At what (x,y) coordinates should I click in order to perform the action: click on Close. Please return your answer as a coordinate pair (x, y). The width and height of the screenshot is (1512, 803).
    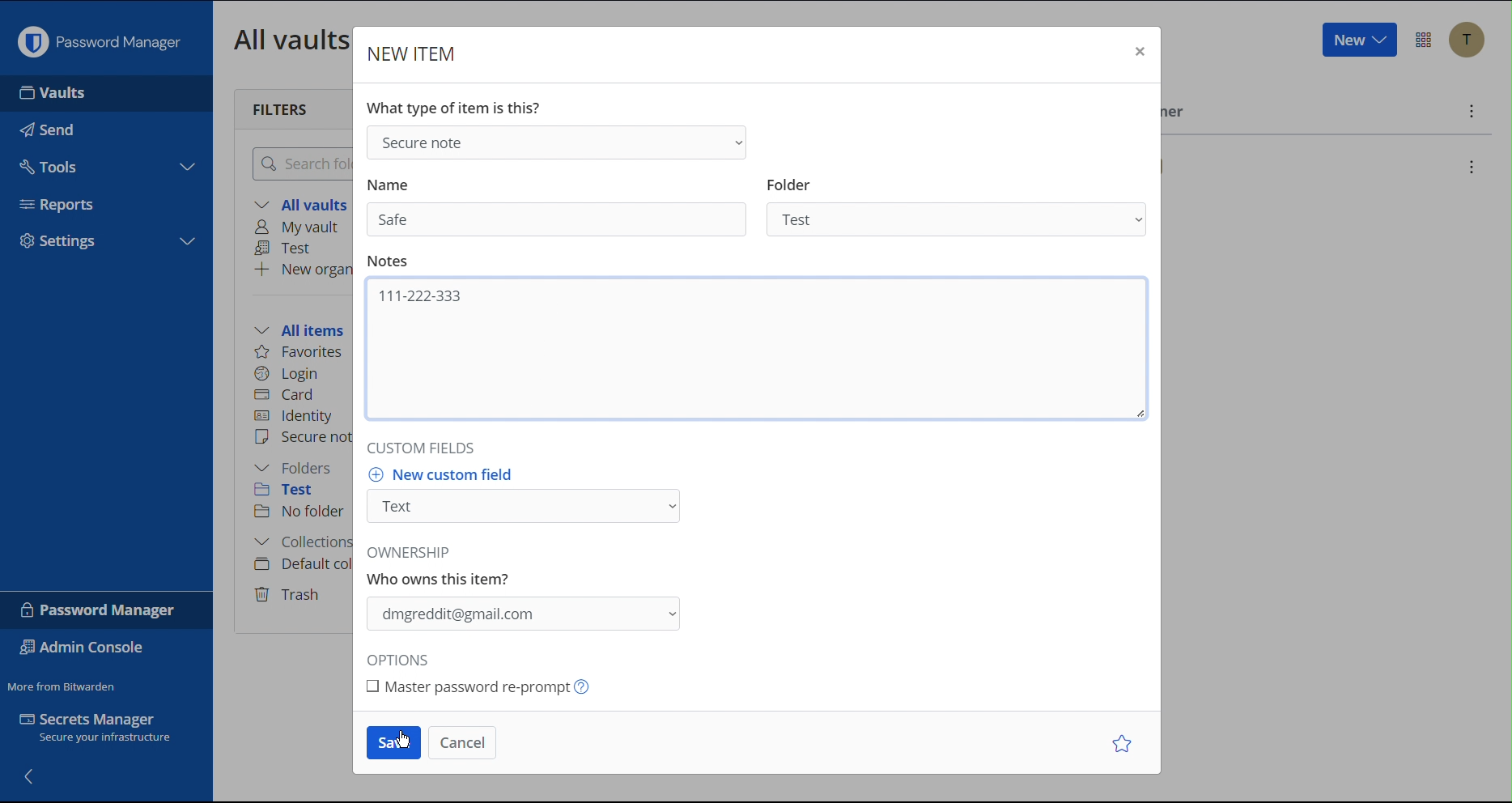
    Looking at the image, I should click on (1137, 53).